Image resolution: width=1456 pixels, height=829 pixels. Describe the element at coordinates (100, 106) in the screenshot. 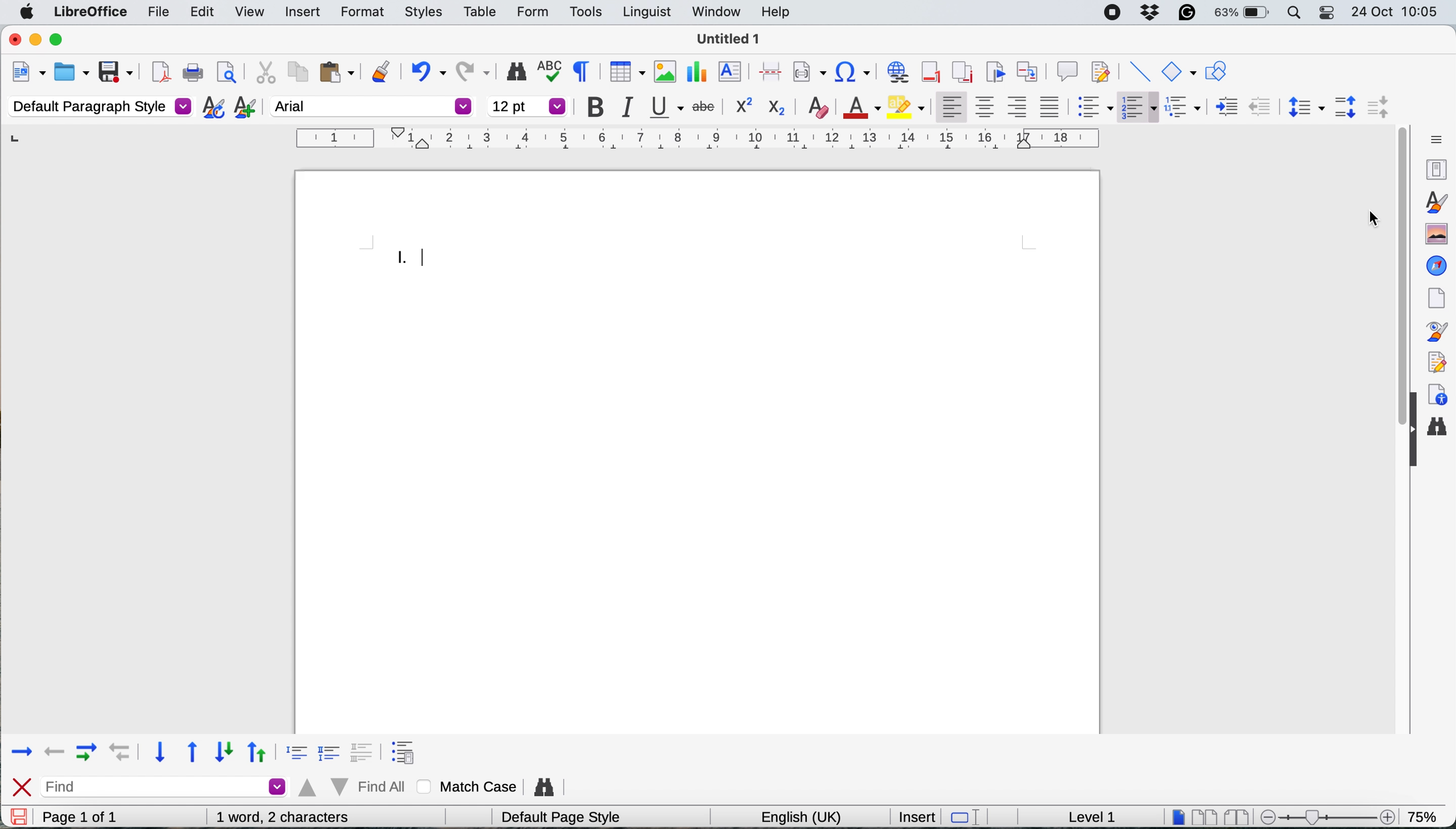

I see `default paragraph style` at that location.